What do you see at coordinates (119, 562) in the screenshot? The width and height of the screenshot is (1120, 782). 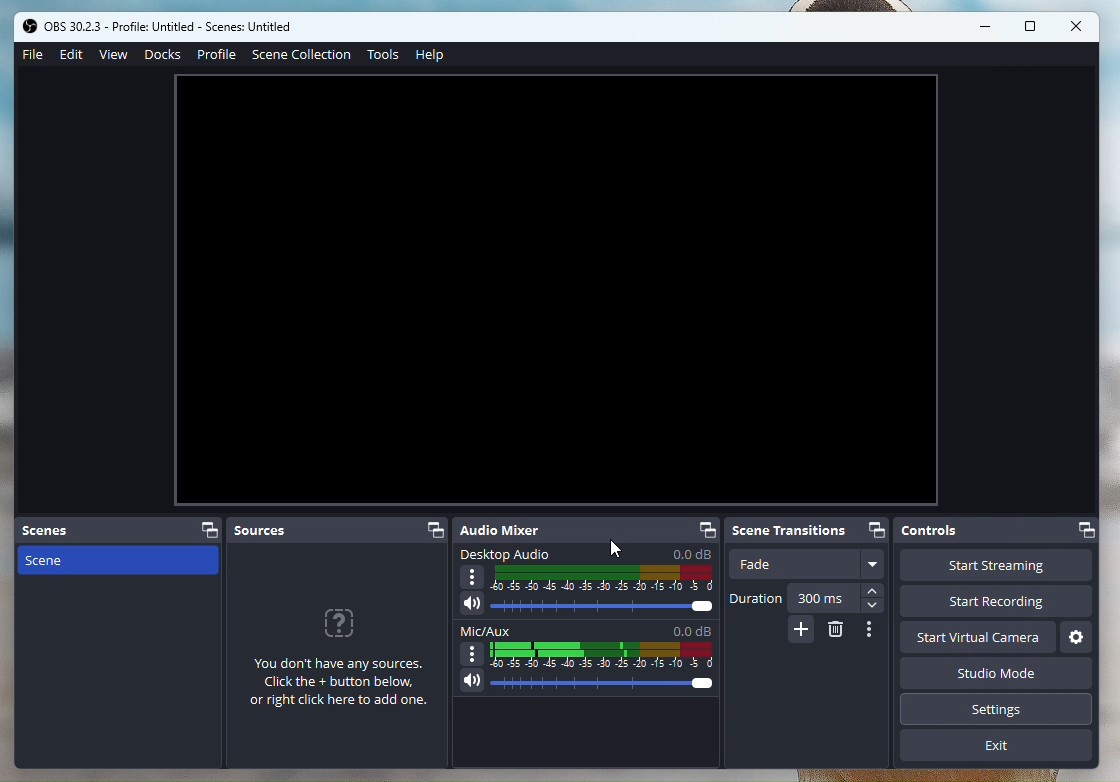 I see `Scene` at bounding box center [119, 562].